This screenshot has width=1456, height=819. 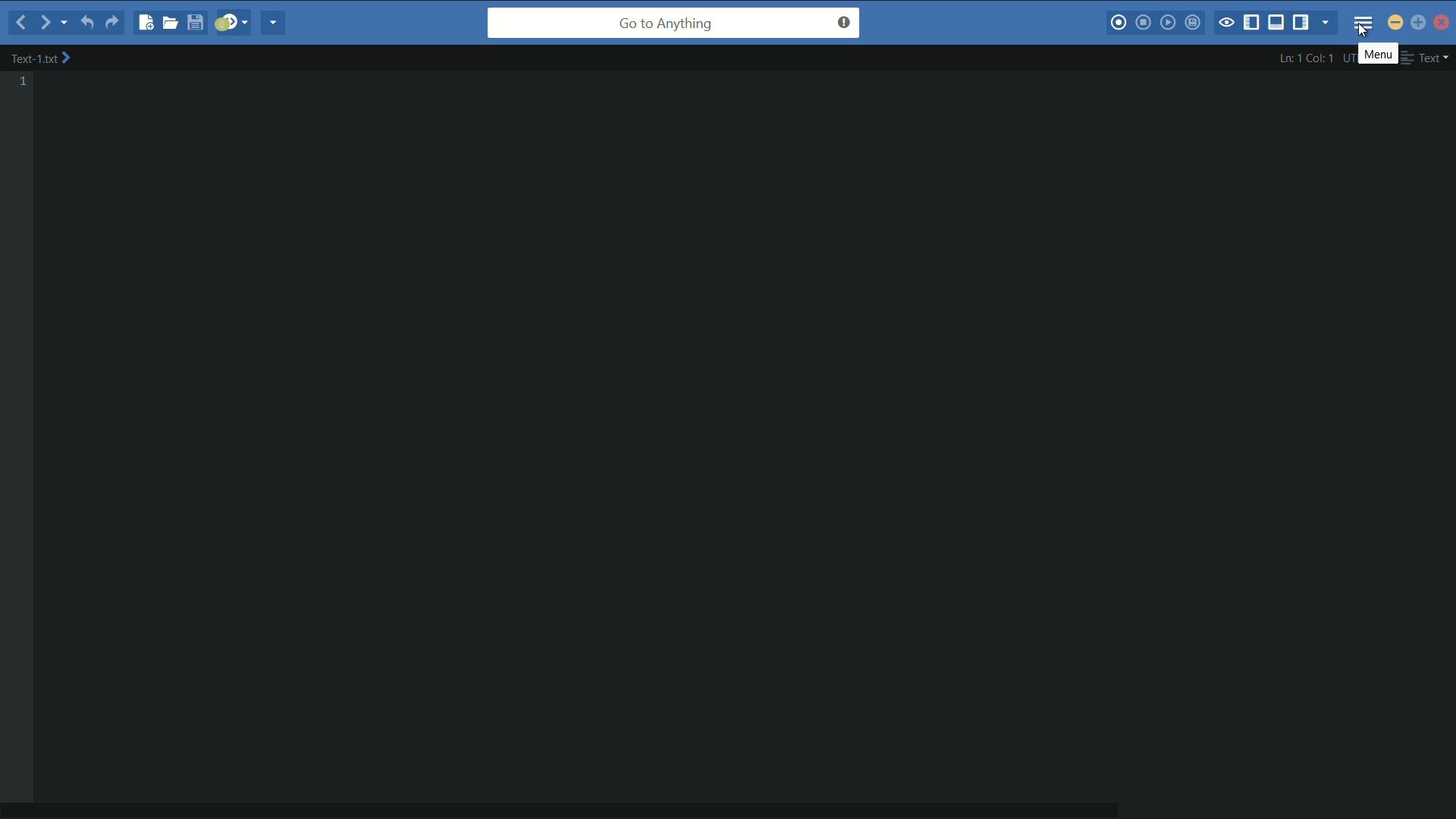 I want to click on horizontal scroll bar, so click(x=565, y=804).